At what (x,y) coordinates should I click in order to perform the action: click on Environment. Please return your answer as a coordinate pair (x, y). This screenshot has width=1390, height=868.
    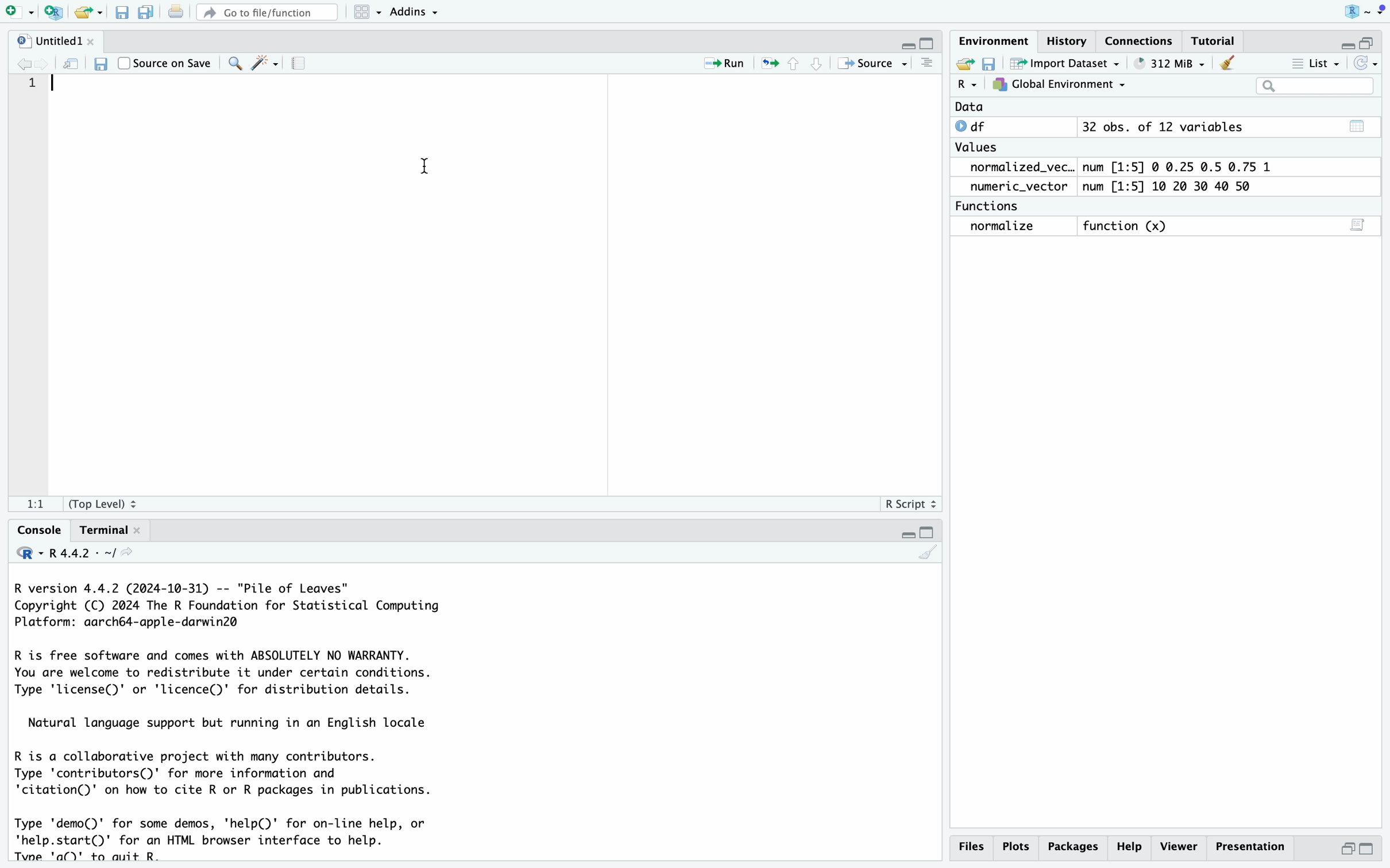
    Looking at the image, I should click on (995, 39).